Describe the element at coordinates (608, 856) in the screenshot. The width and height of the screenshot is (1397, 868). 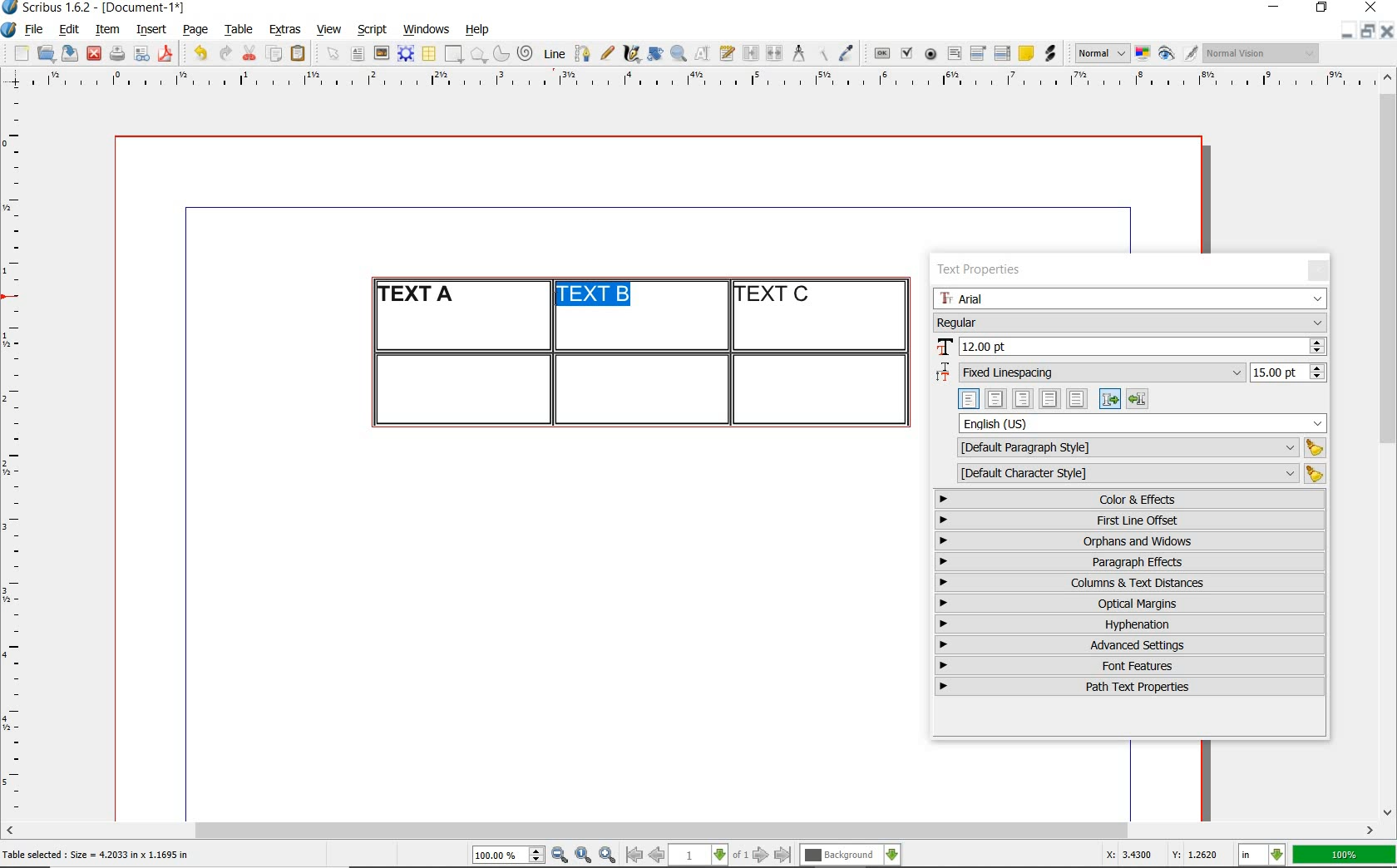
I see `zoom in` at that location.